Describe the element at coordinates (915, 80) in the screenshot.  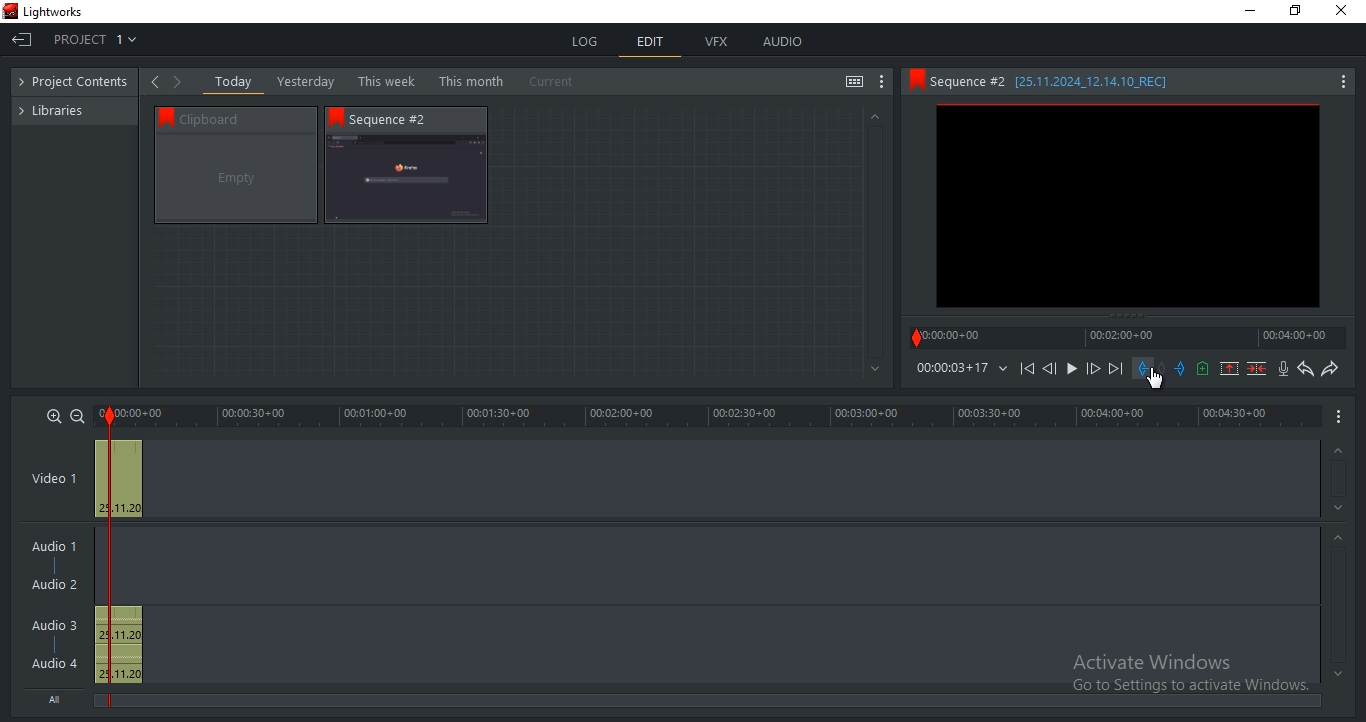
I see `Bookmark icon` at that location.